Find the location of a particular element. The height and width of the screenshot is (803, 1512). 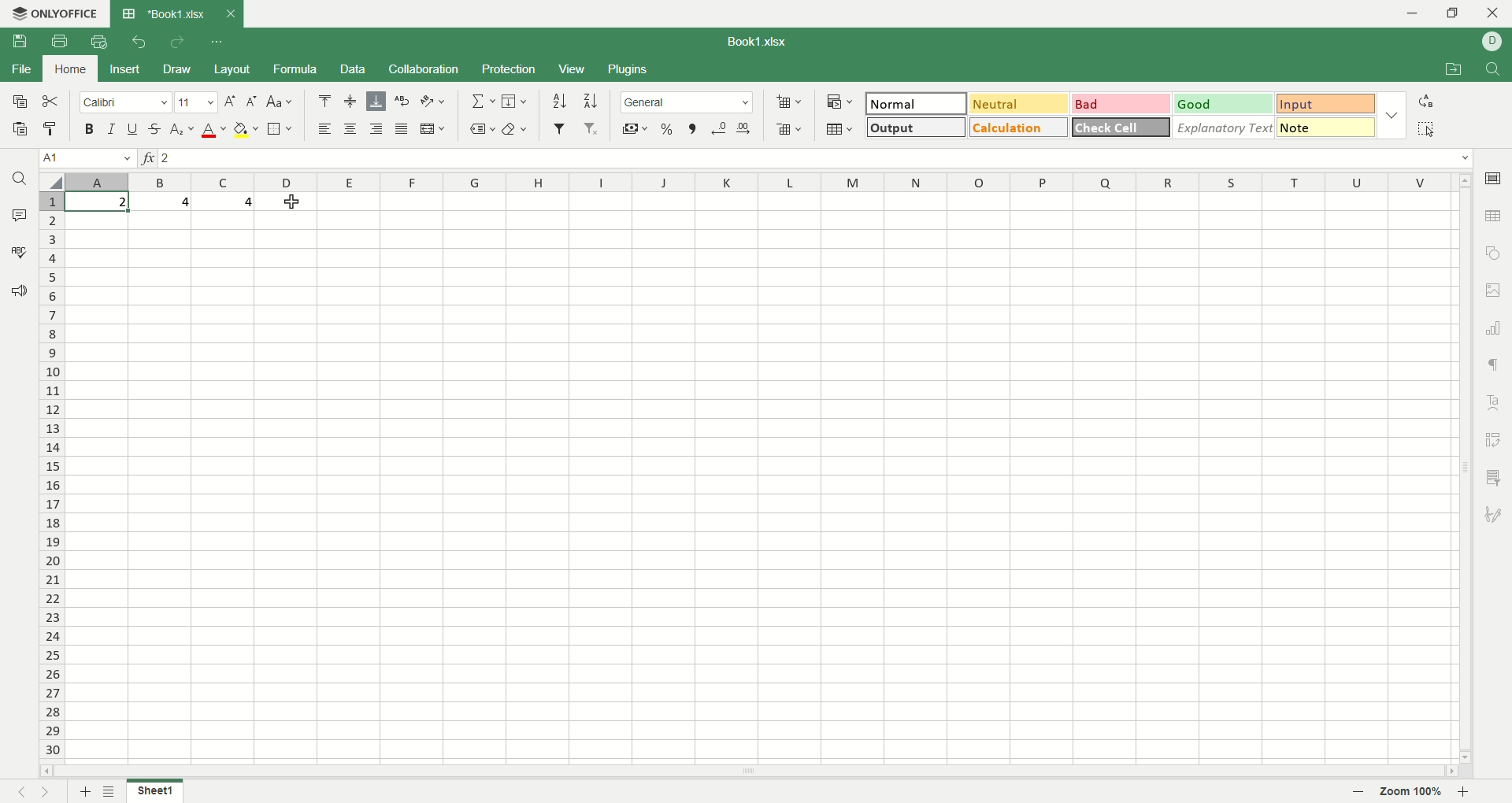

redo is located at coordinates (177, 44).